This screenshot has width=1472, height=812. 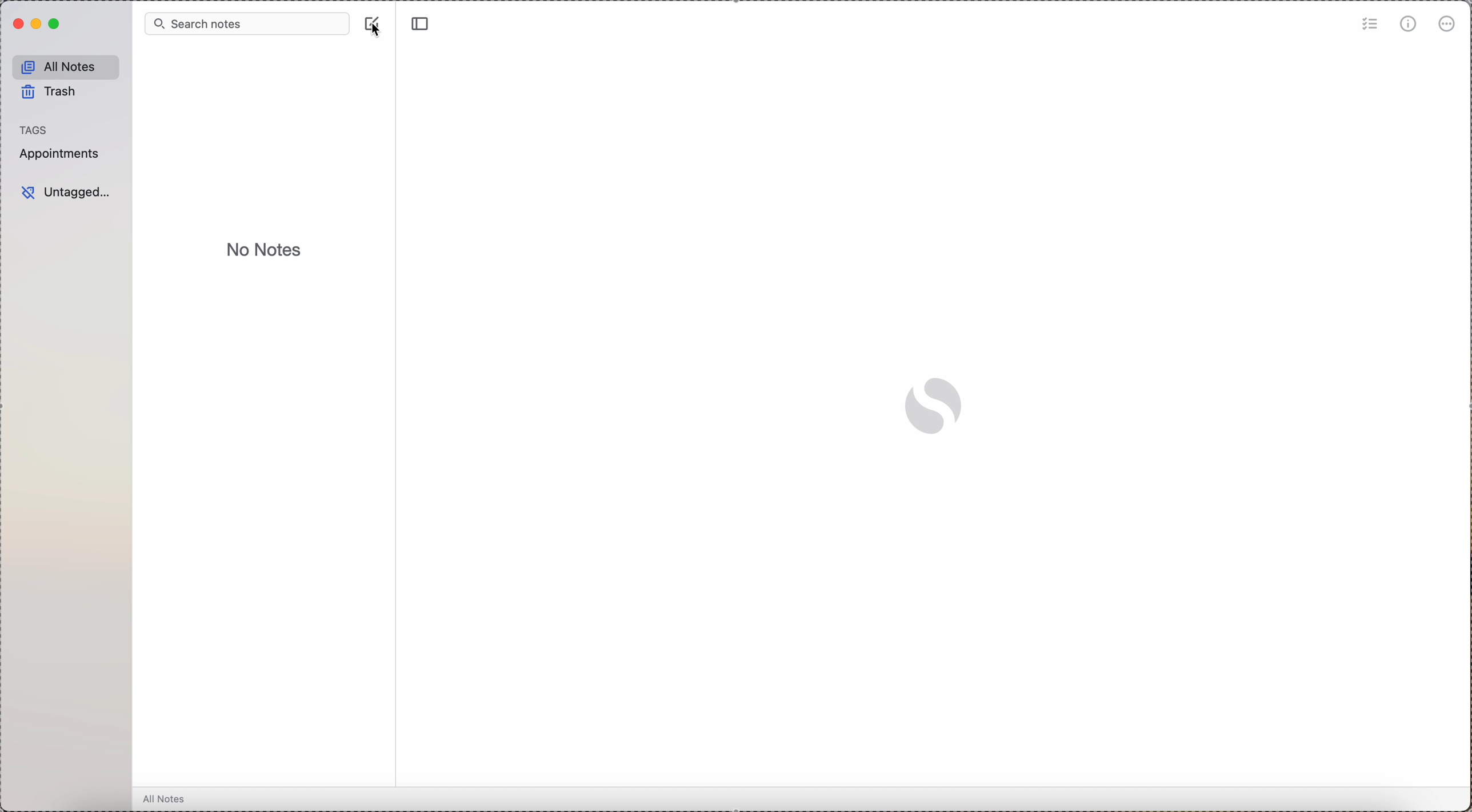 What do you see at coordinates (35, 130) in the screenshot?
I see `tags` at bounding box center [35, 130].